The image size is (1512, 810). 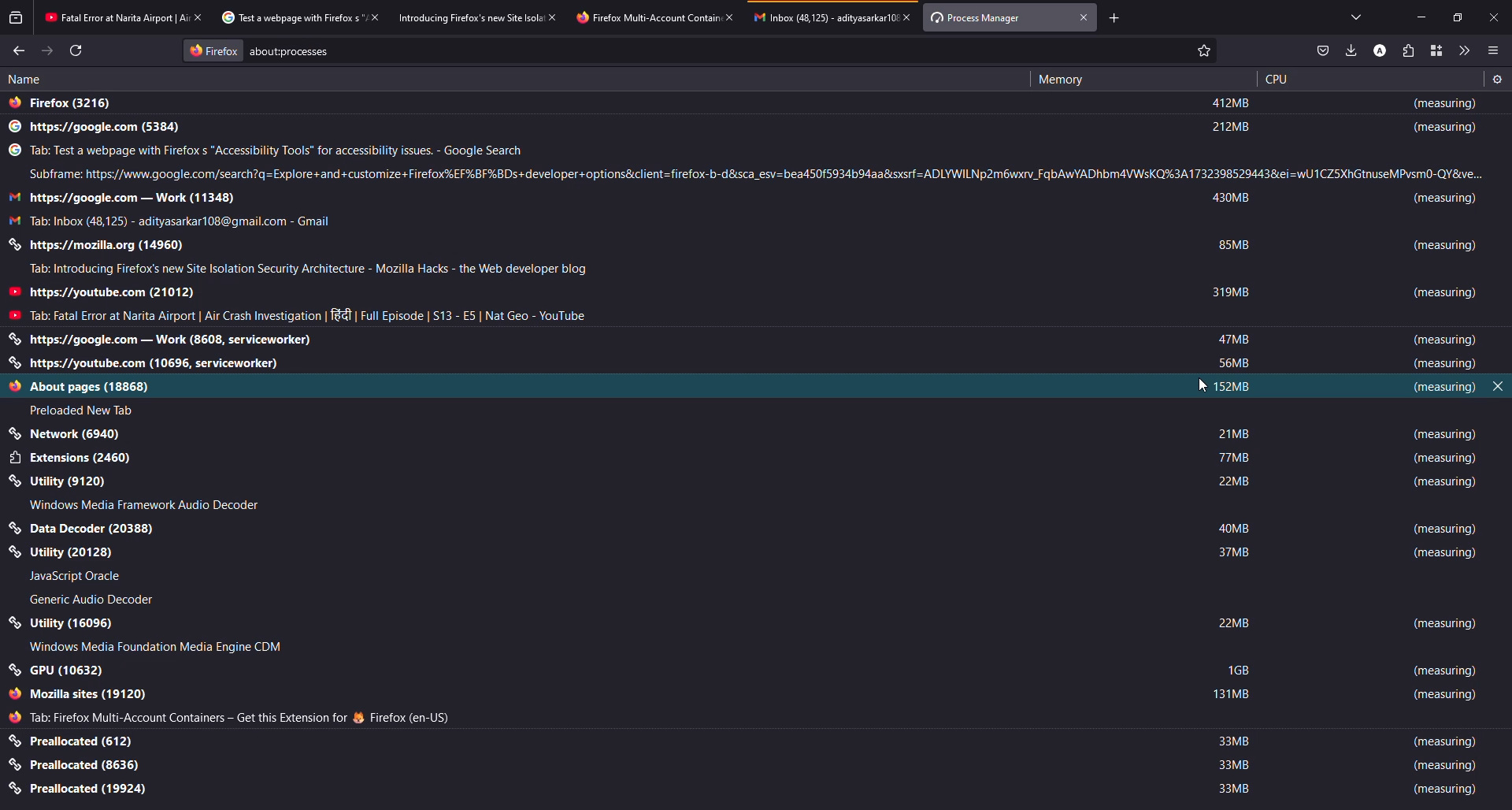 What do you see at coordinates (1203, 51) in the screenshot?
I see `Mark as Favourite` at bounding box center [1203, 51].